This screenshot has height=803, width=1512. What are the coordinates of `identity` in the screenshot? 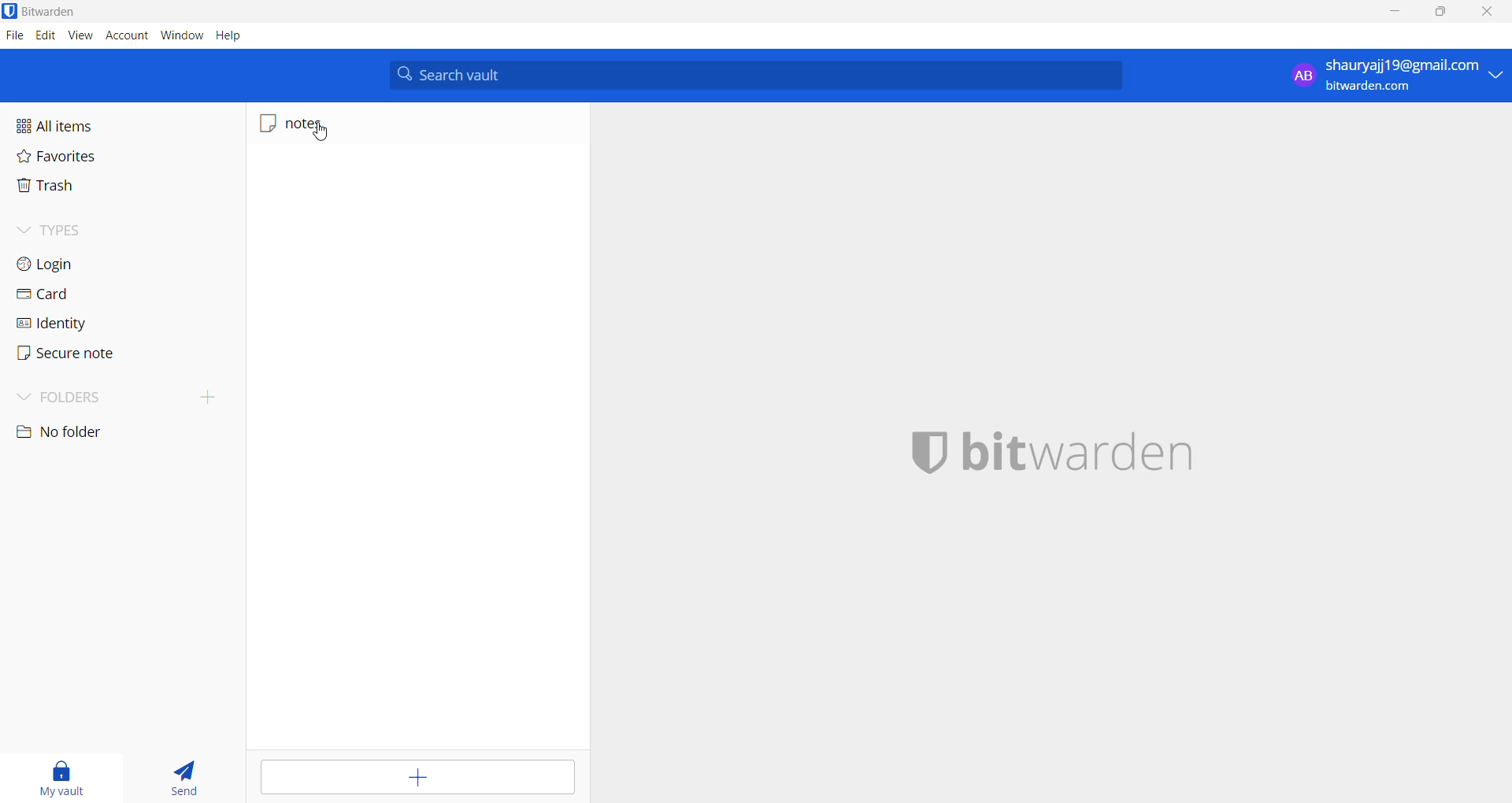 It's located at (72, 327).